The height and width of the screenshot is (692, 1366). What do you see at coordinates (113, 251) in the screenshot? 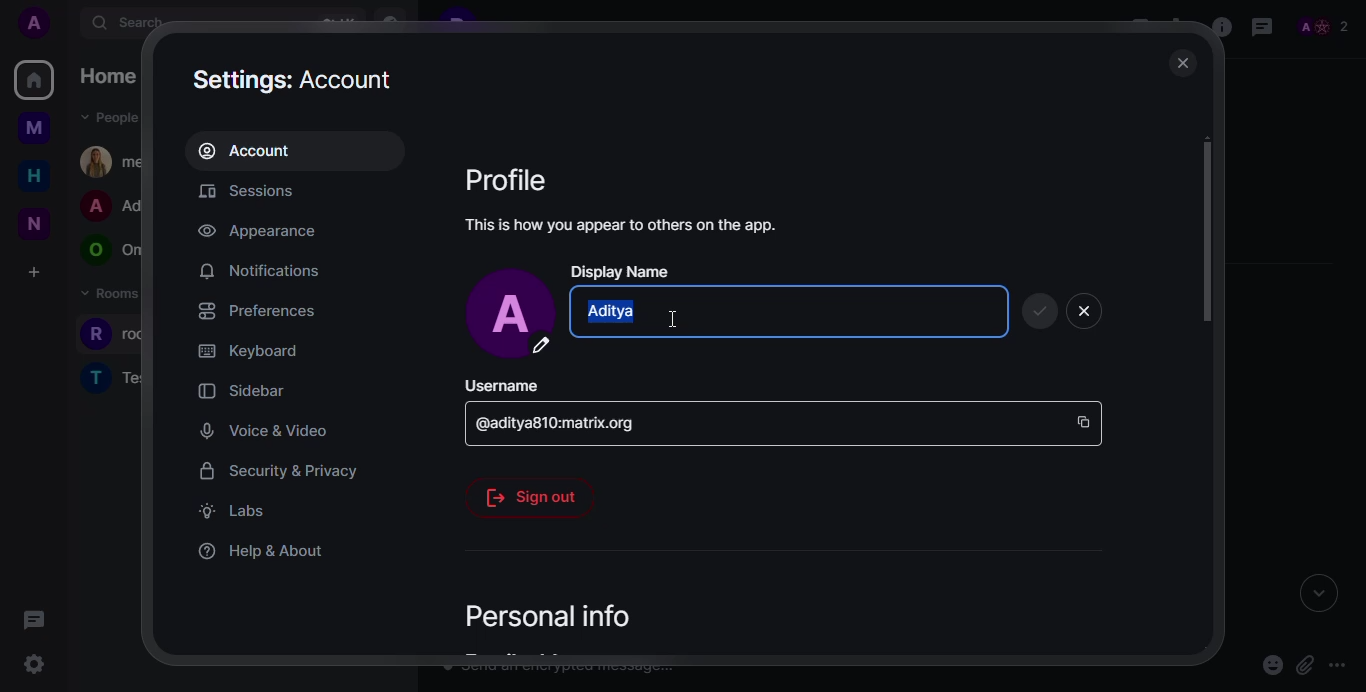
I see `people` at bounding box center [113, 251].